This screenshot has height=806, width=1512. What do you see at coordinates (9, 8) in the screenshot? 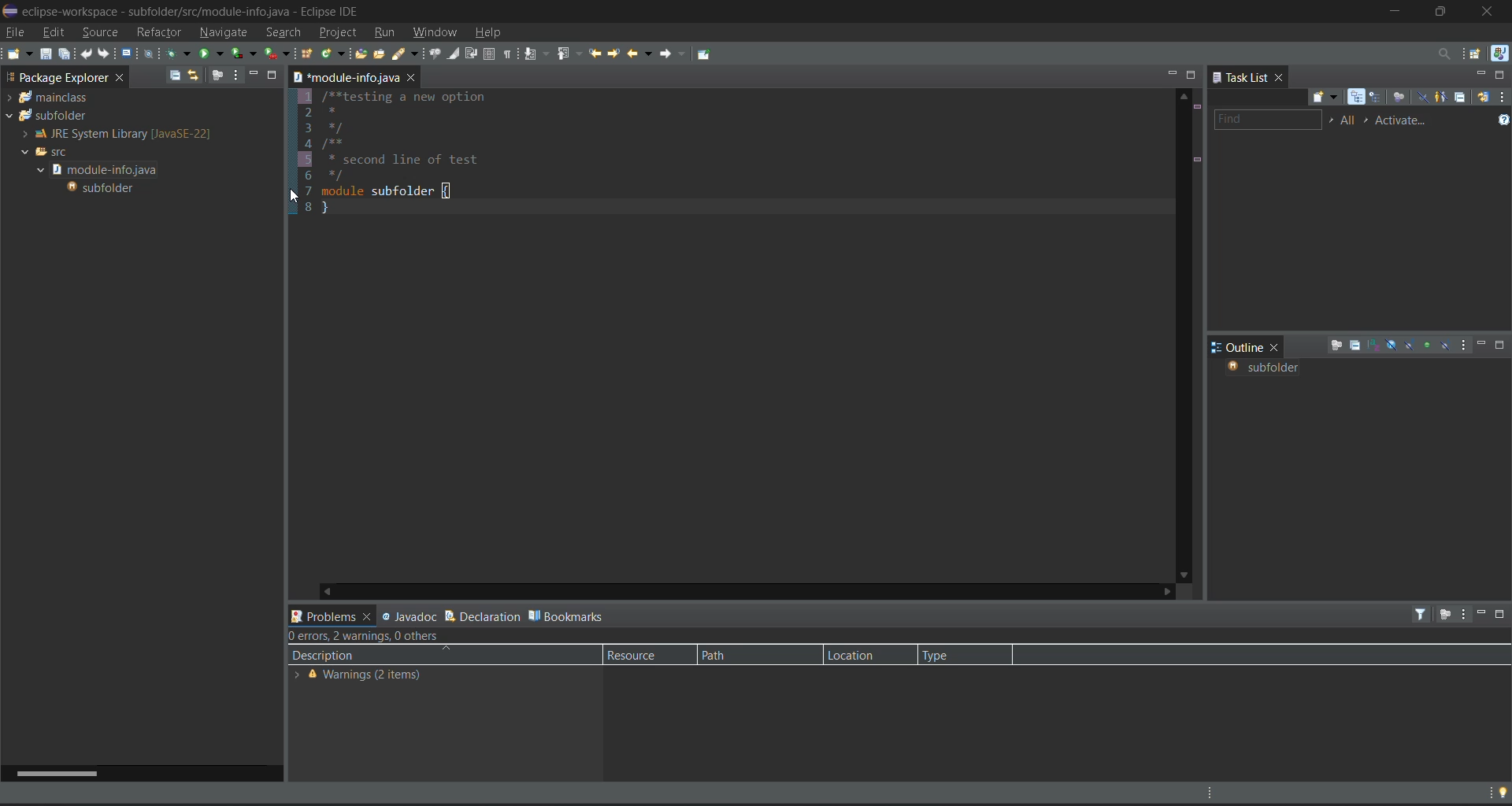
I see `eclipse logo` at bounding box center [9, 8].